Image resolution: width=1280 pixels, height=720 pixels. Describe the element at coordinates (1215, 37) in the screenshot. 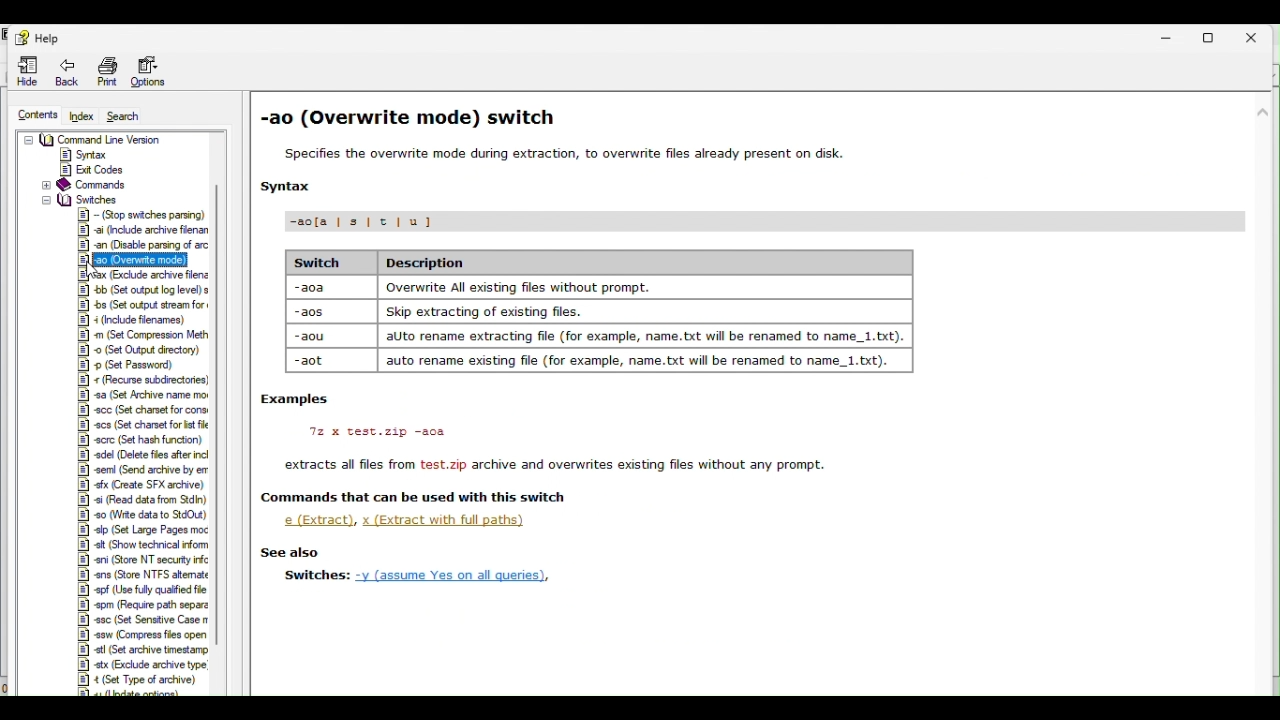

I see `Restore` at that location.